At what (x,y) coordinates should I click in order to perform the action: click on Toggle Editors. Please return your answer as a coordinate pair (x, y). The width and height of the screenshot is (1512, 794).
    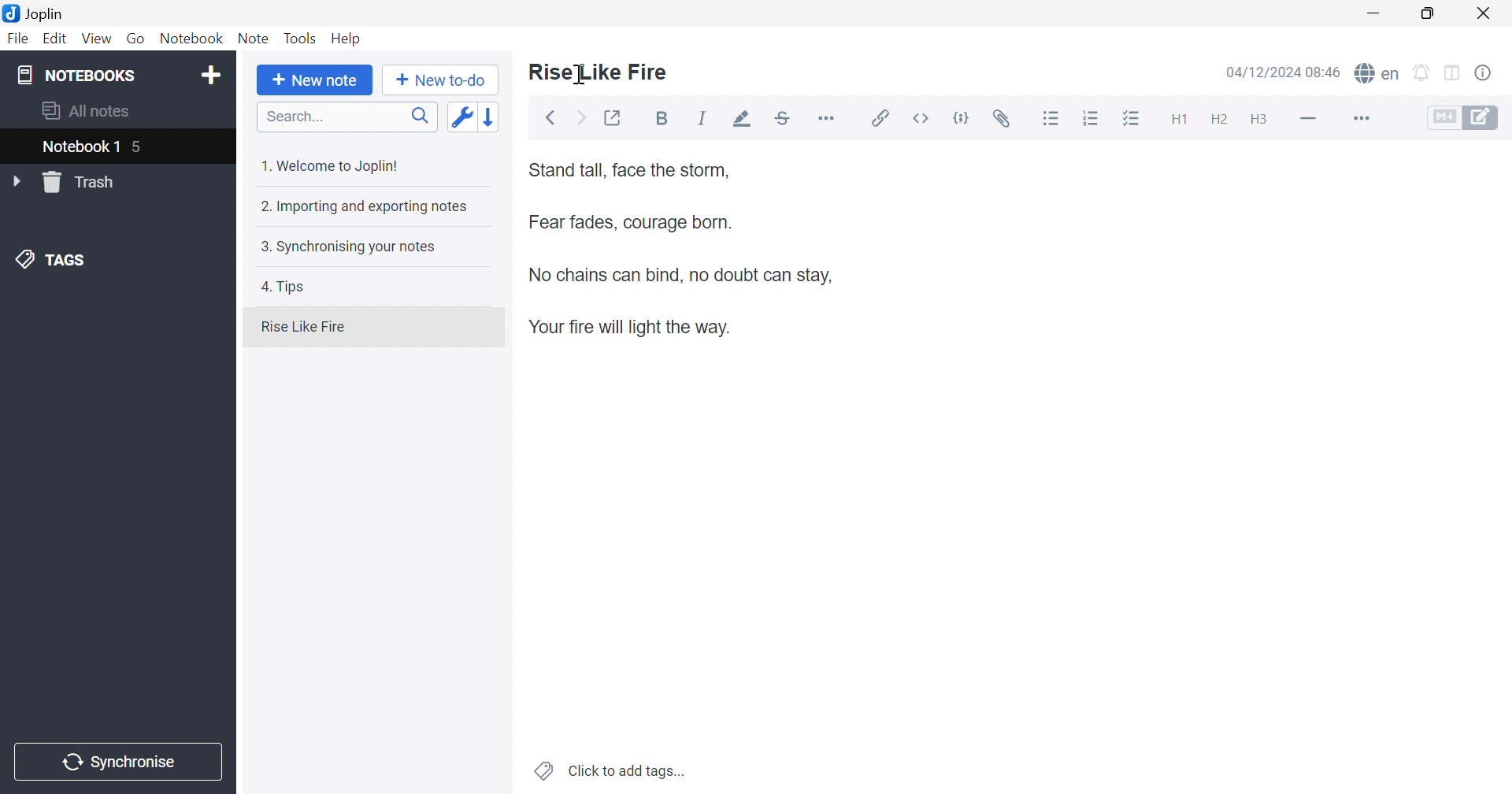
    Looking at the image, I should click on (1458, 121).